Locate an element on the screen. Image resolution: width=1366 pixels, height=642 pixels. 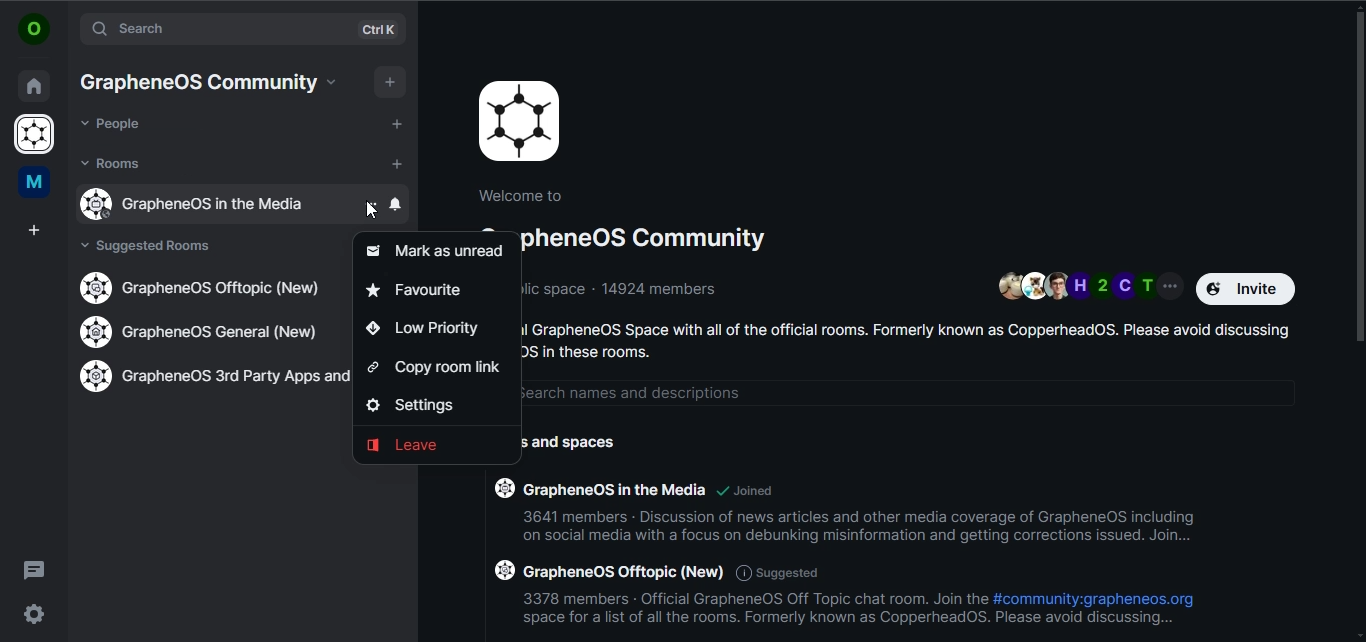
home is located at coordinates (33, 83).